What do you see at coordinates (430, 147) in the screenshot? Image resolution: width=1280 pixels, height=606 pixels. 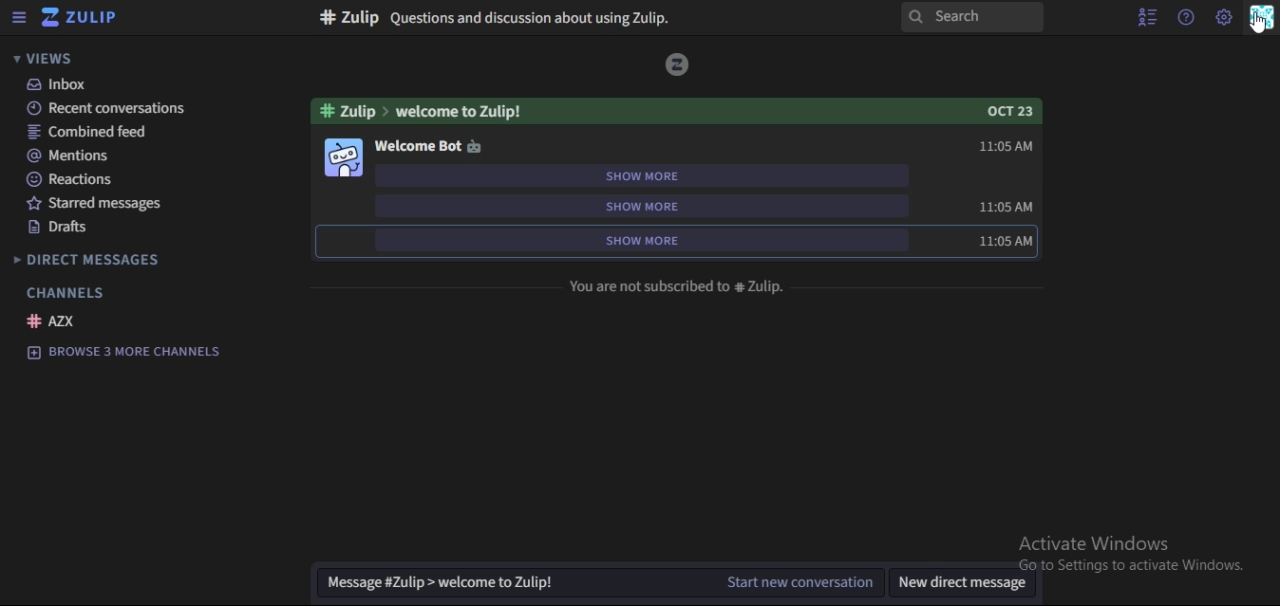 I see `welcome bot` at bounding box center [430, 147].